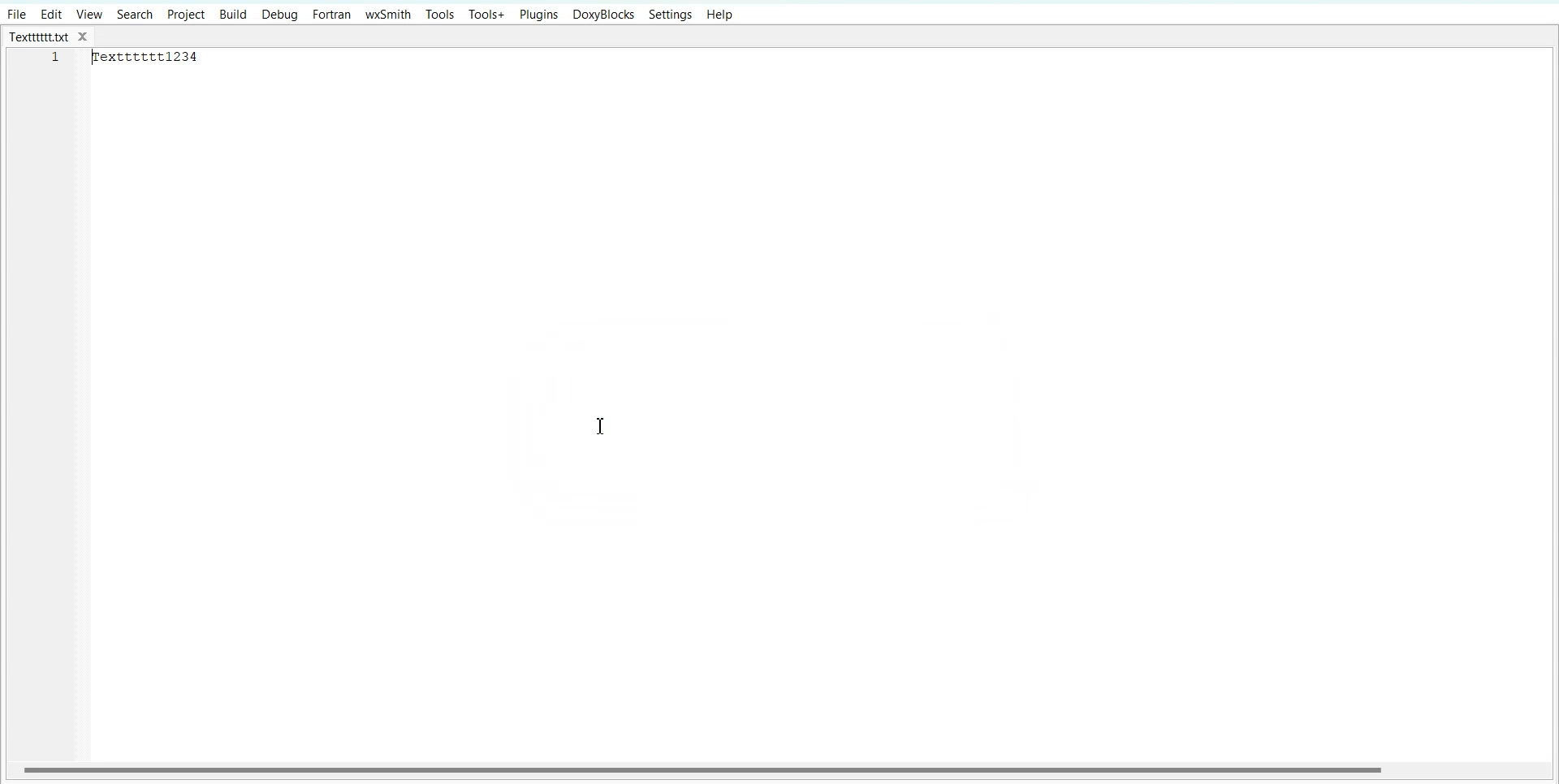  I want to click on Textttttttt1234, so click(150, 56).